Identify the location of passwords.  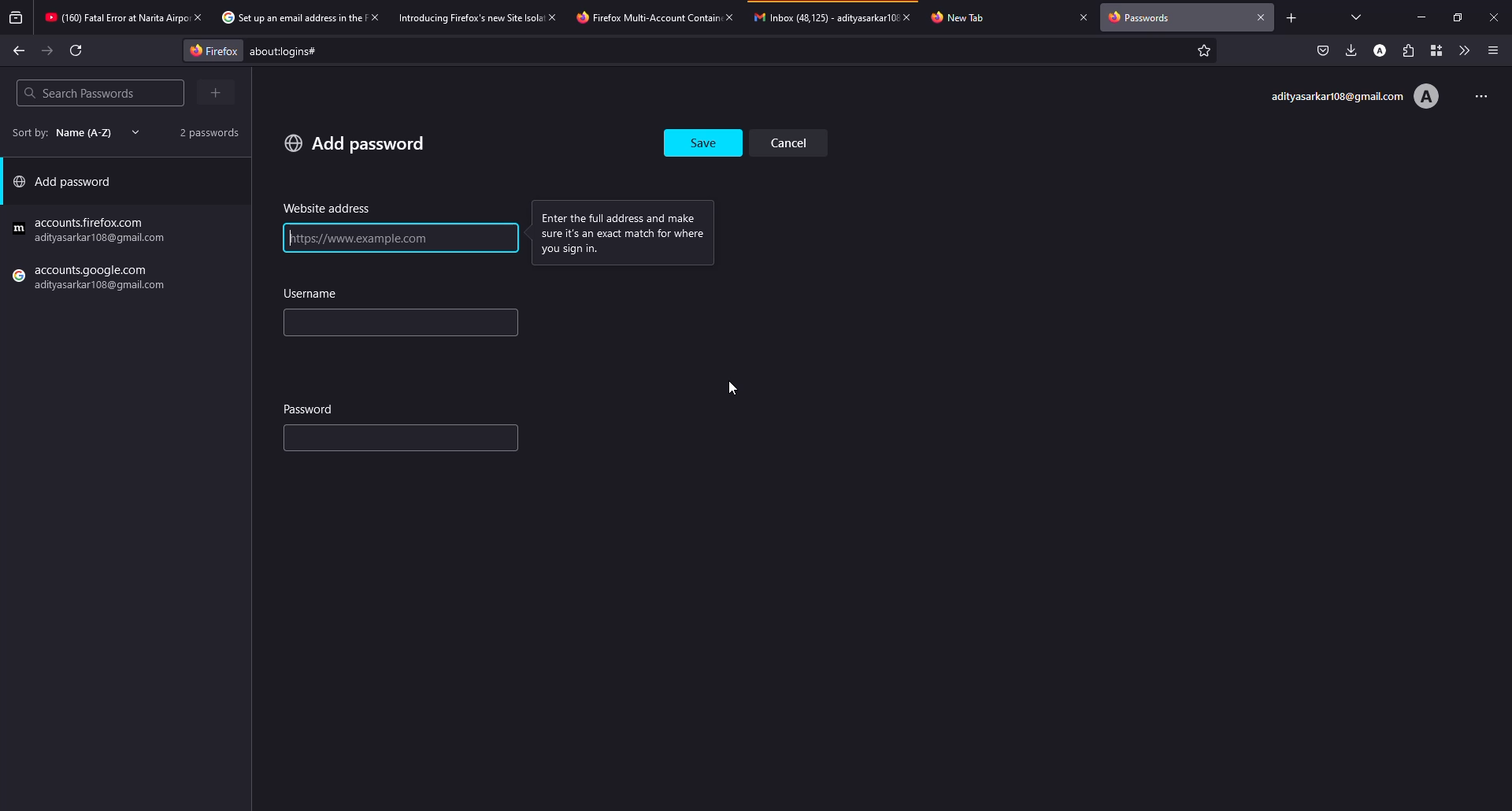
(1143, 19).